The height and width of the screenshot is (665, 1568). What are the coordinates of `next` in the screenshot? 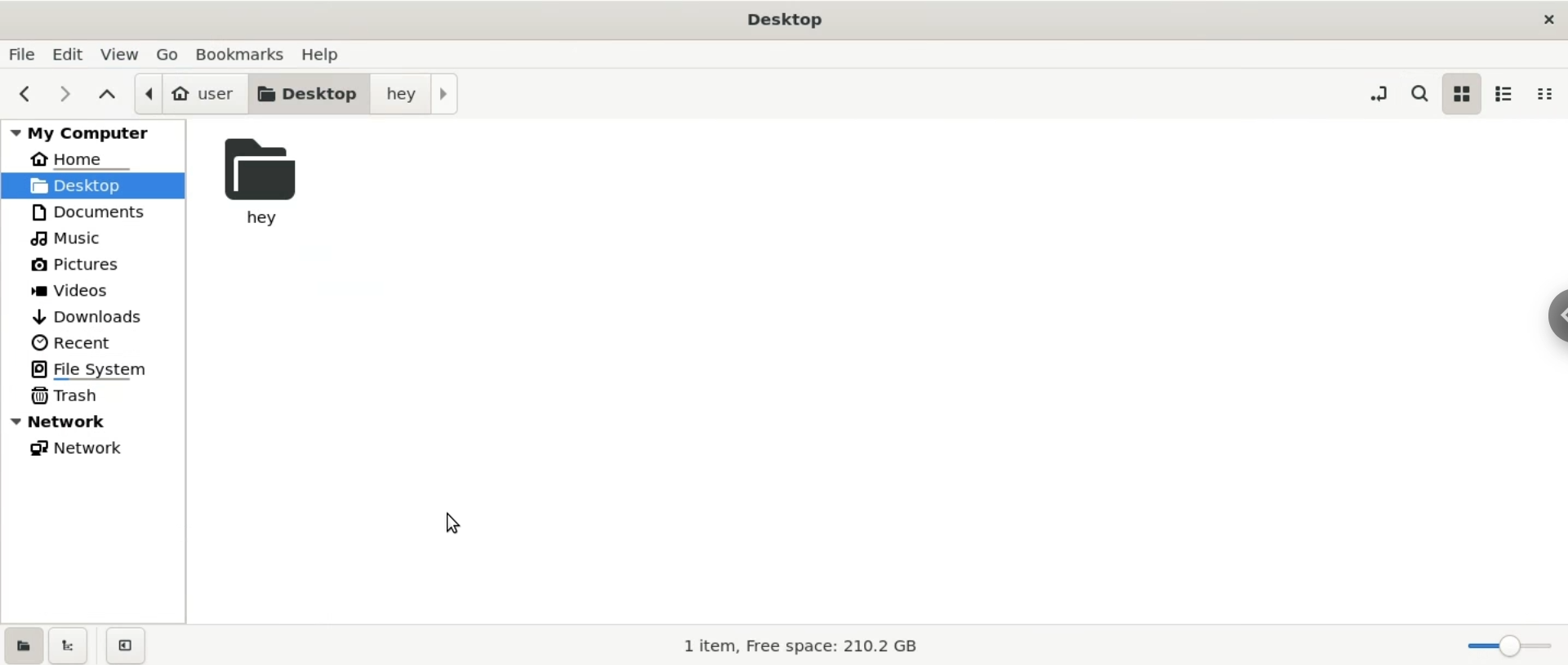 It's located at (66, 92).